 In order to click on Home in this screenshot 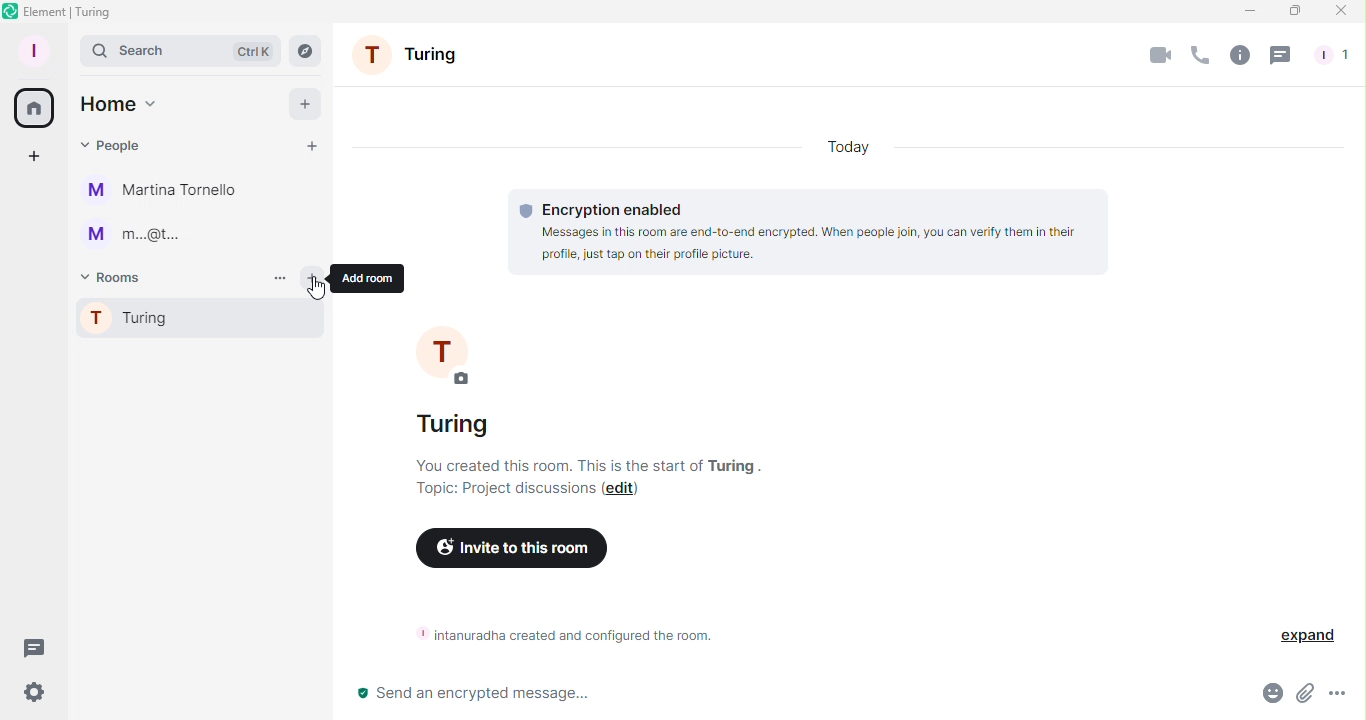, I will do `click(31, 105)`.